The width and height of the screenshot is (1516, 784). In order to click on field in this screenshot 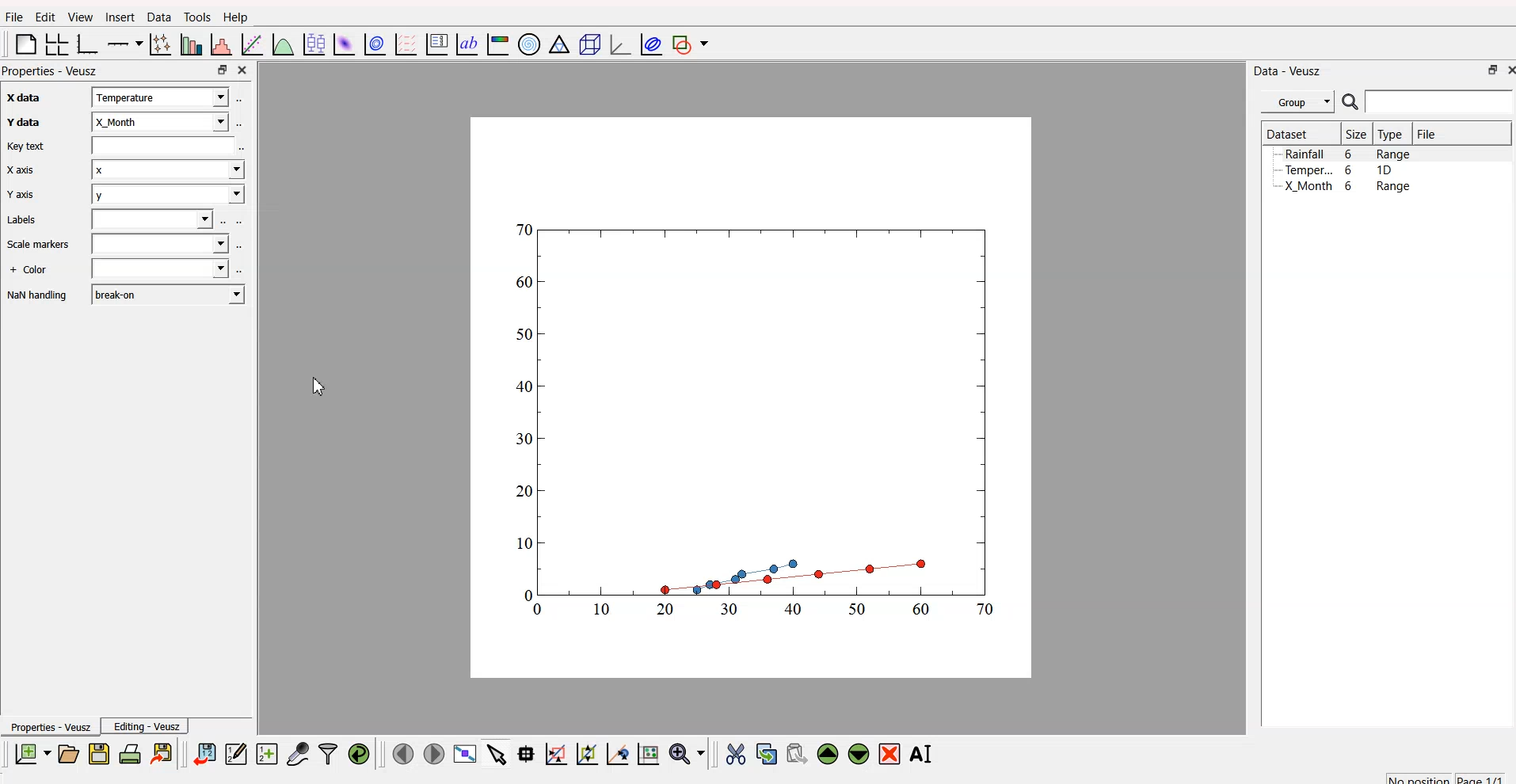, I will do `click(154, 220)`.